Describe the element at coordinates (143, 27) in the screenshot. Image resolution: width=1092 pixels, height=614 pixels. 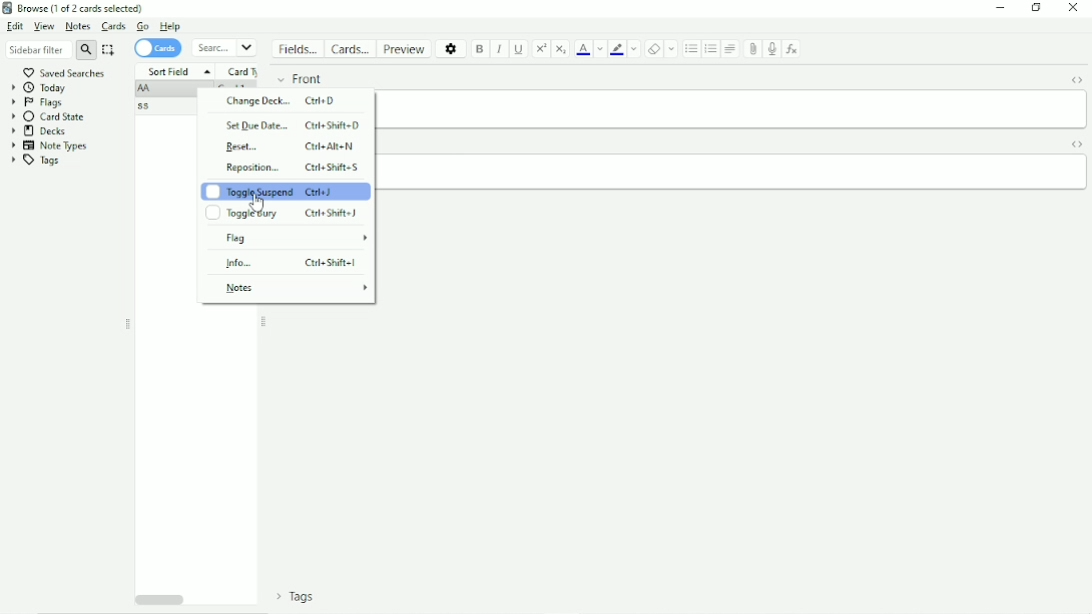
I see `Go` at that location.